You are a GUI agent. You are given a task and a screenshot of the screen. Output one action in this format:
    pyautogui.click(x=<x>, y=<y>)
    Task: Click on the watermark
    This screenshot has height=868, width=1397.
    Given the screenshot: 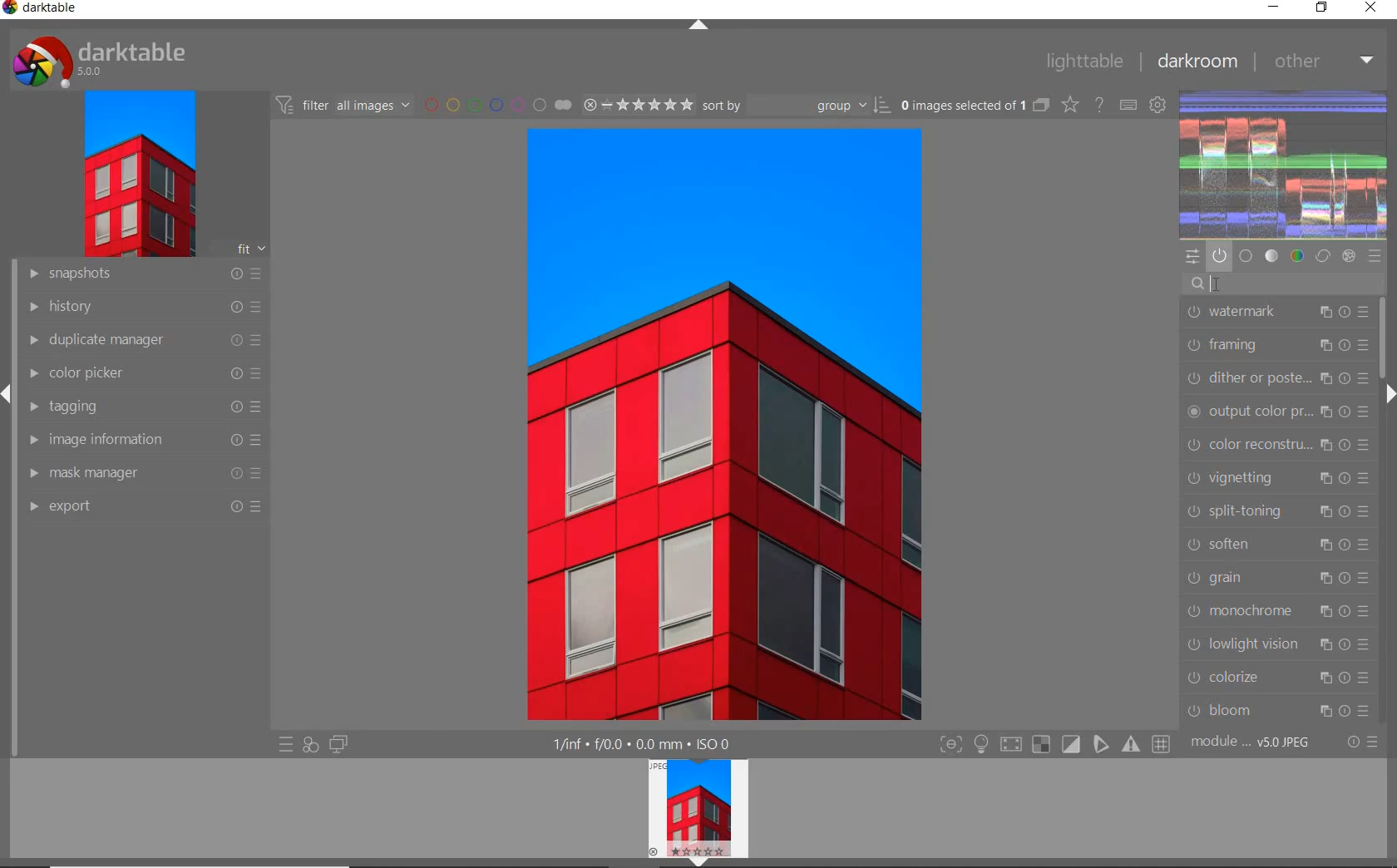 What is the action you would take?
    pyautogui.click(x=1276, y=310)
    